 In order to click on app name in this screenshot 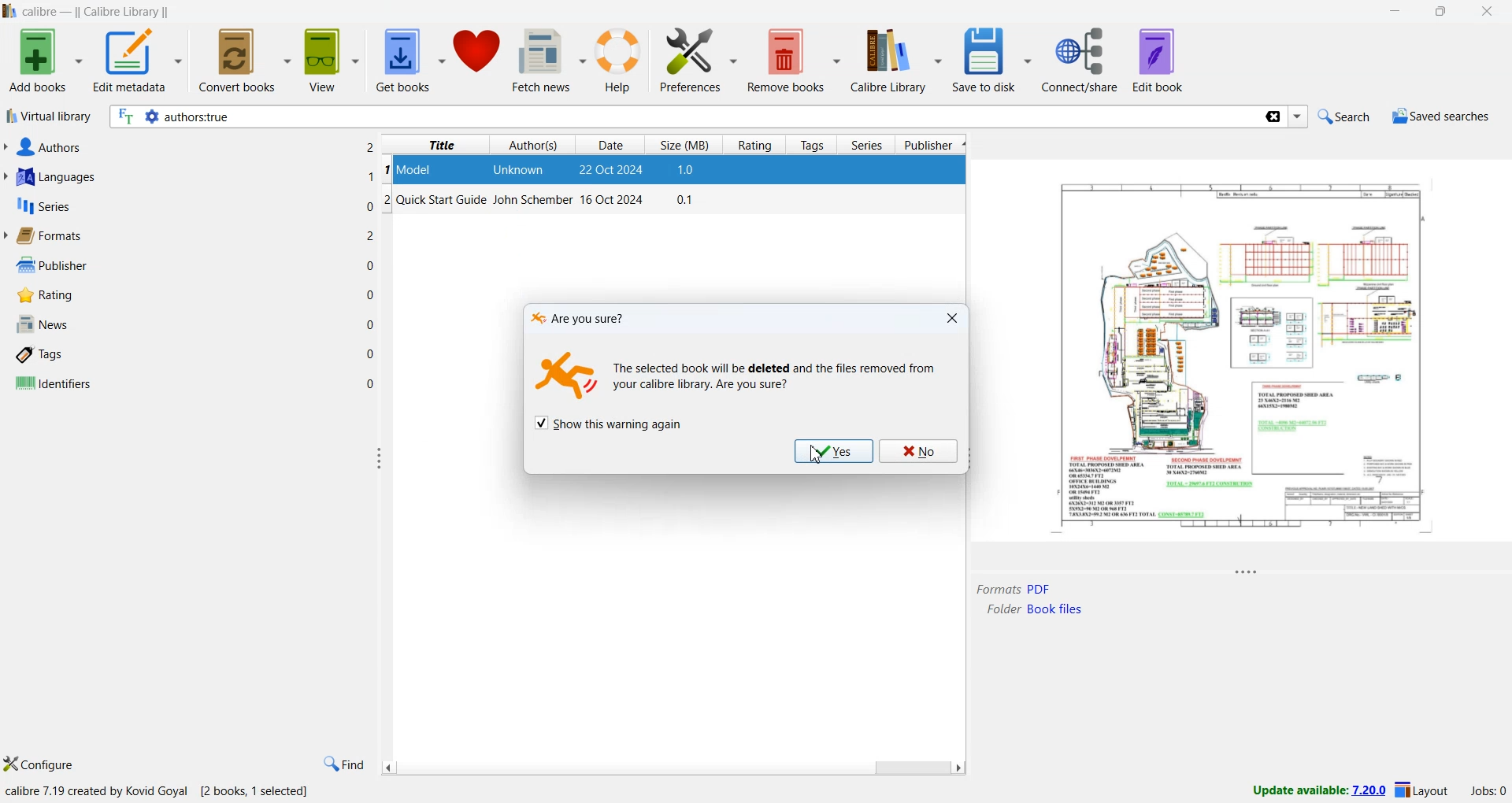, I will do `click(9, 11)`.